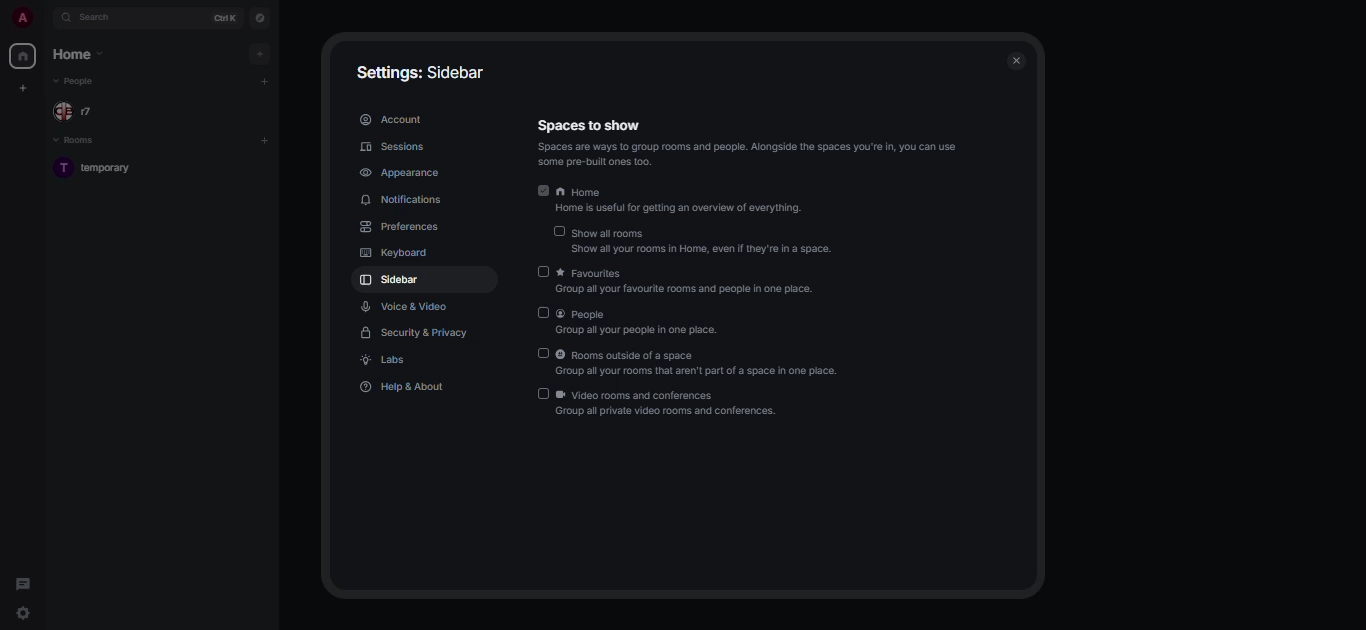  Describe the element at coordinates (21, 56) in the screenshot. I see `home` at that location.